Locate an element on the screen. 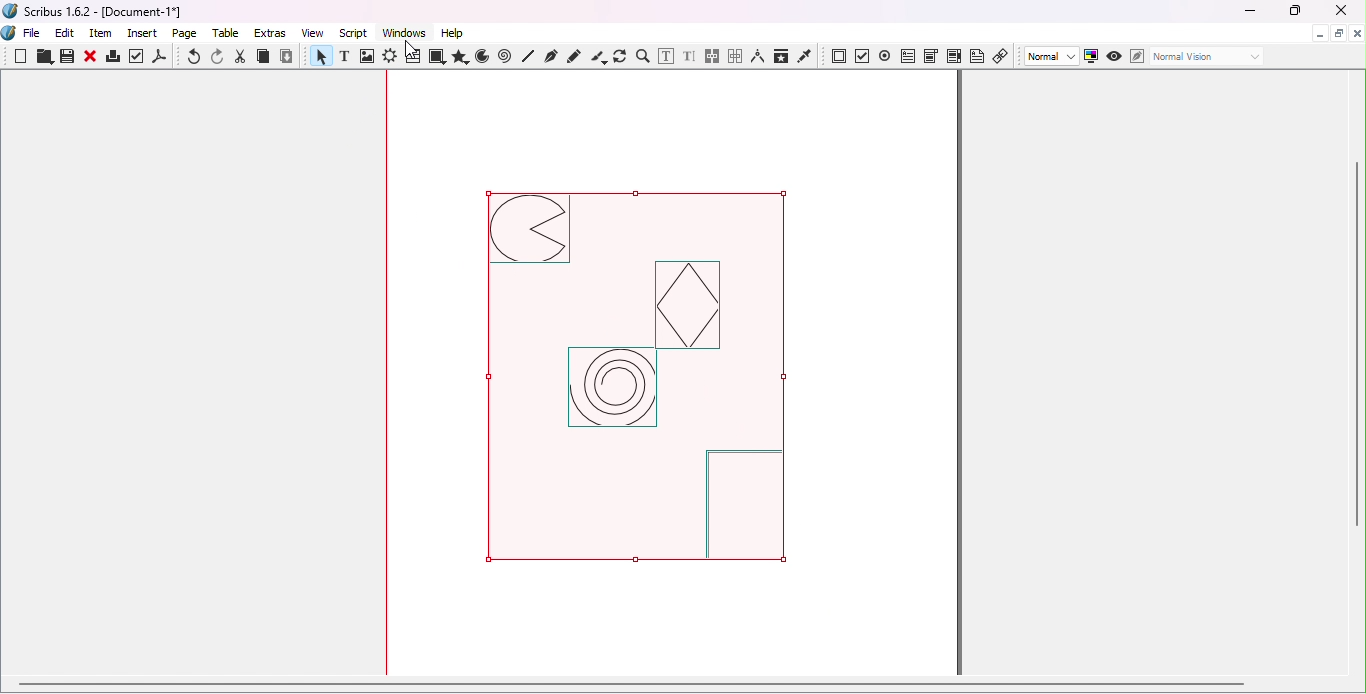 This screenshot has width=1366, height=694. File is located at coordinates (32, 34).